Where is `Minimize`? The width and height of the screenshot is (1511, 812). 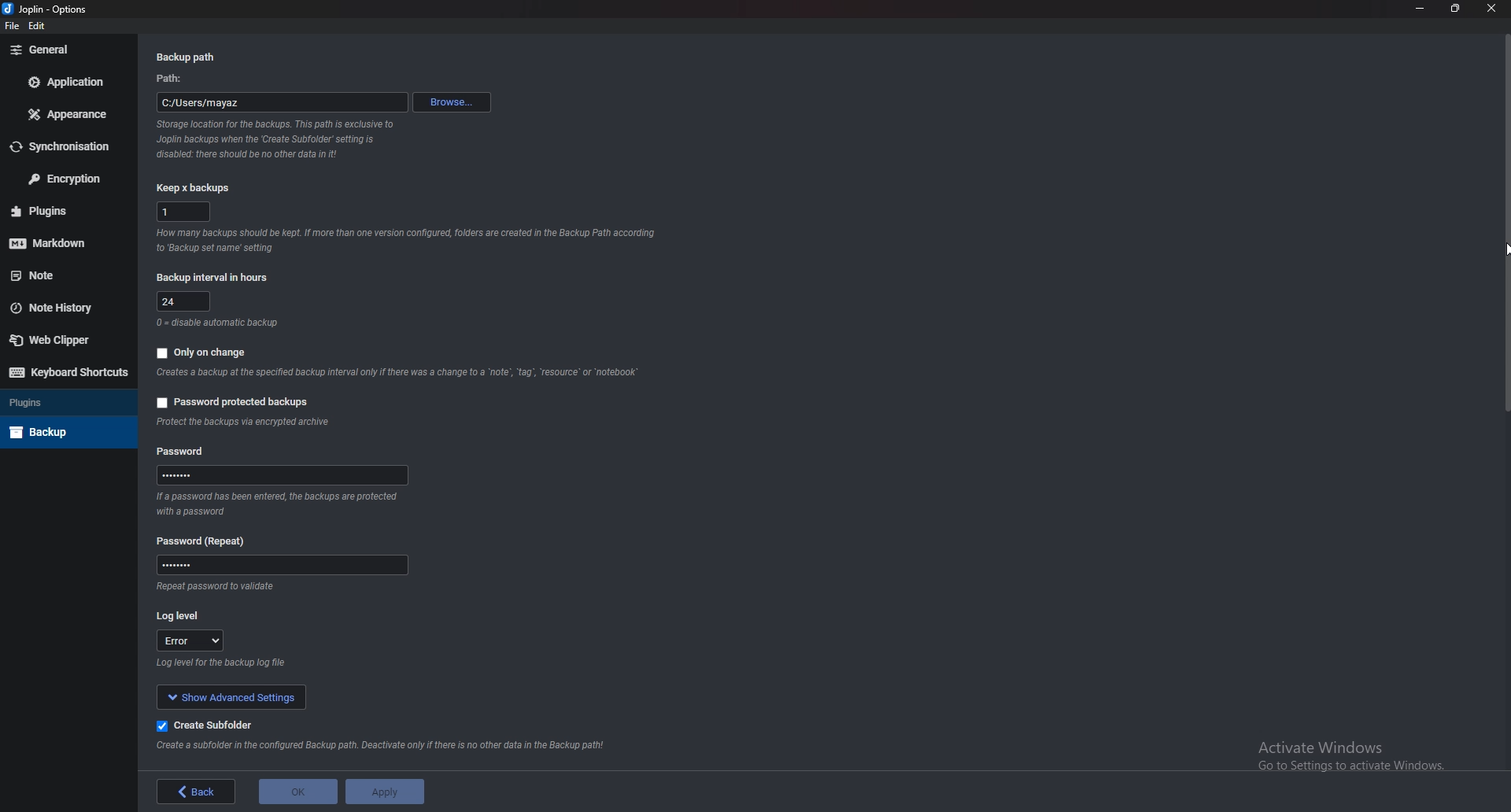 Minimize is located at coordinates (1422, 9).